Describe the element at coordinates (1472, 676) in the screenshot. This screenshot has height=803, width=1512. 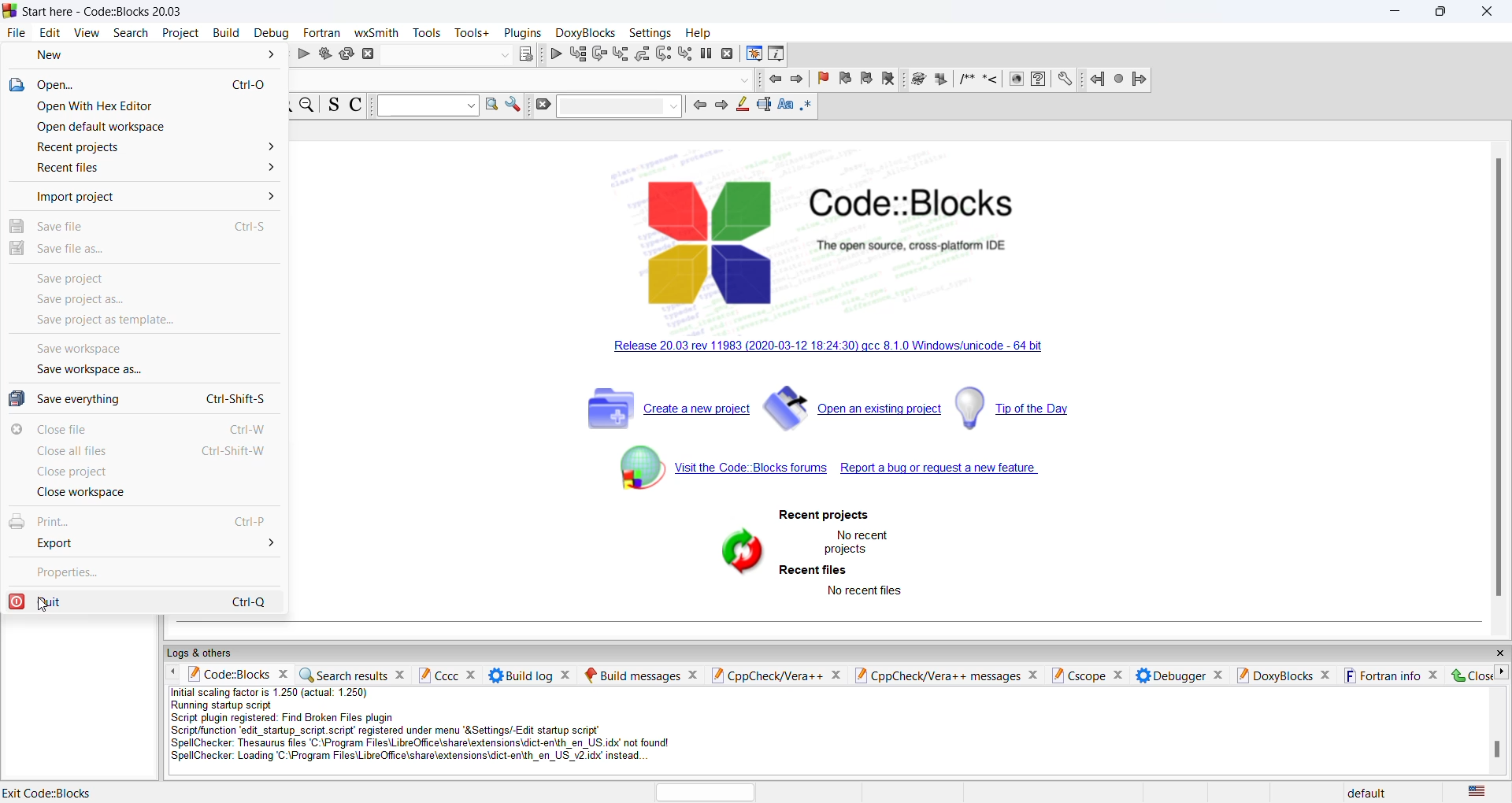
I see `close` at that location.